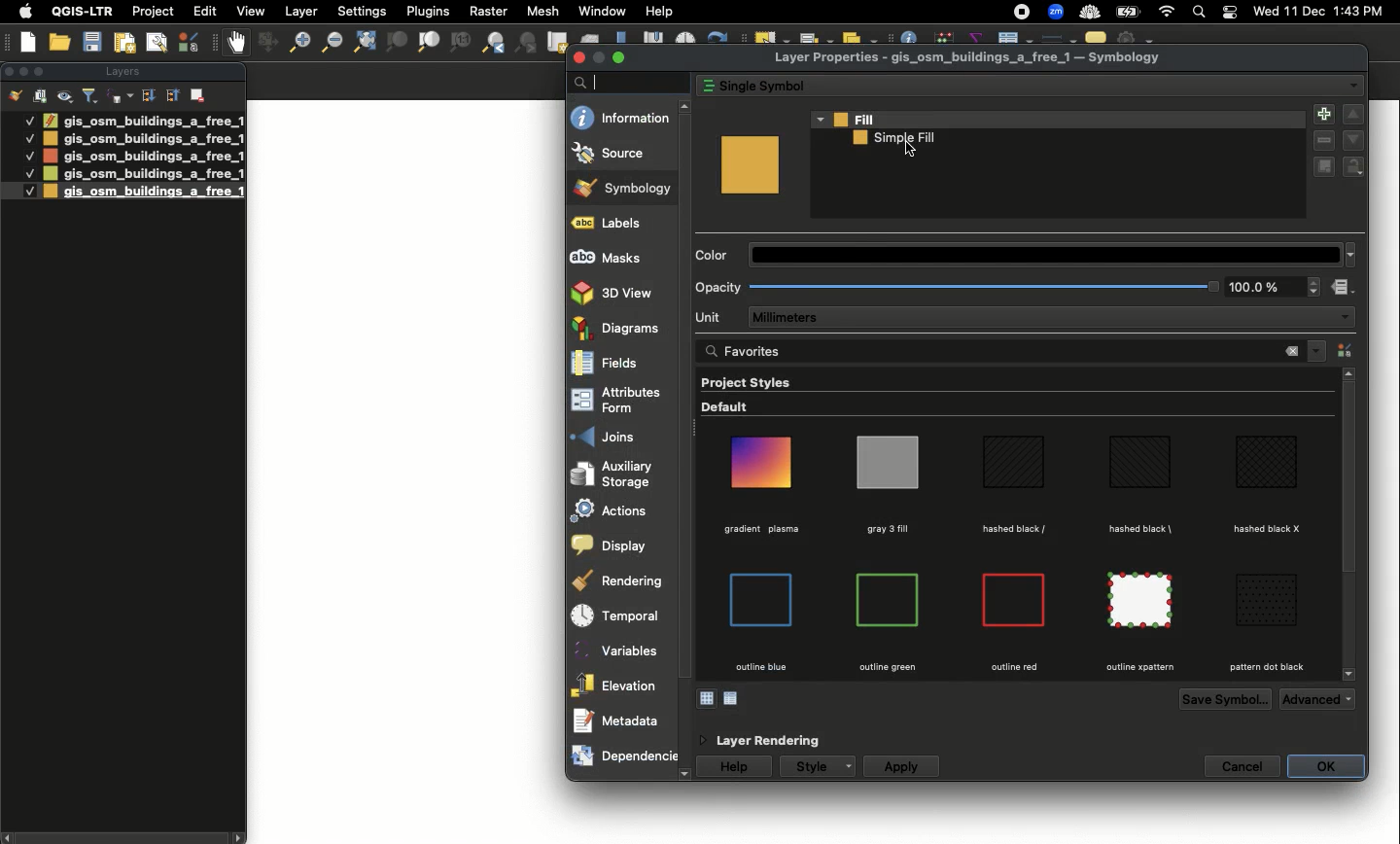  Describe the element at coordinates (763, 529) in the screenshot. I see `gradient plasma` at that location.